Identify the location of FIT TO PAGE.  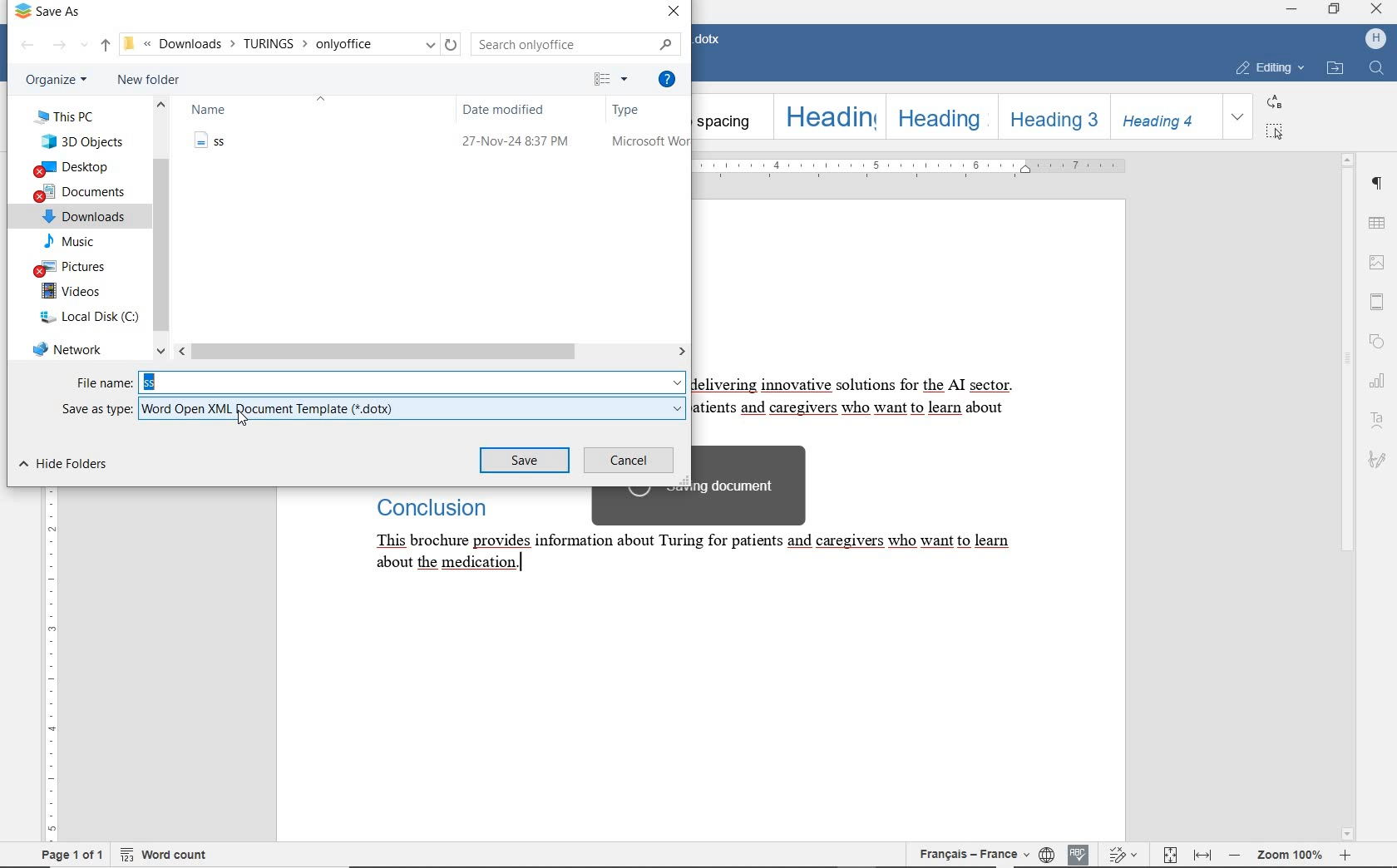
(1170, 854).